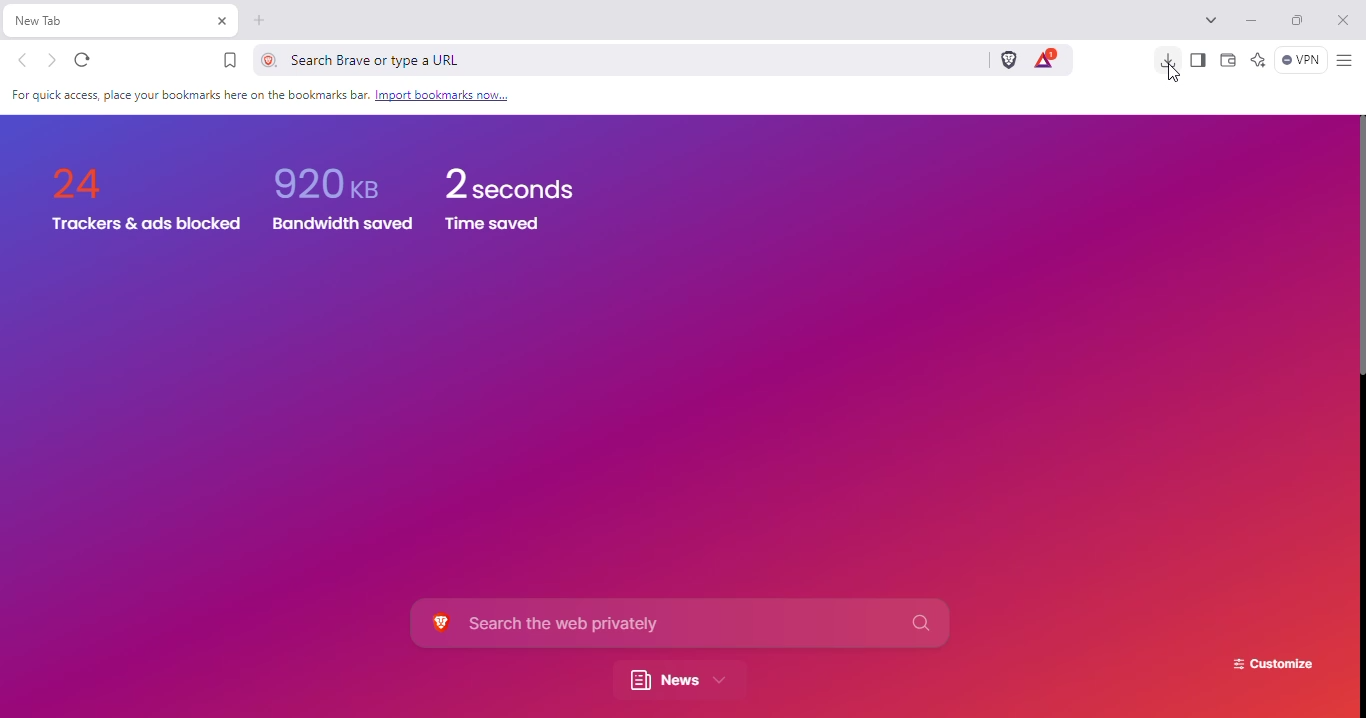  I want to click on search the web privately, so click(679, 623).